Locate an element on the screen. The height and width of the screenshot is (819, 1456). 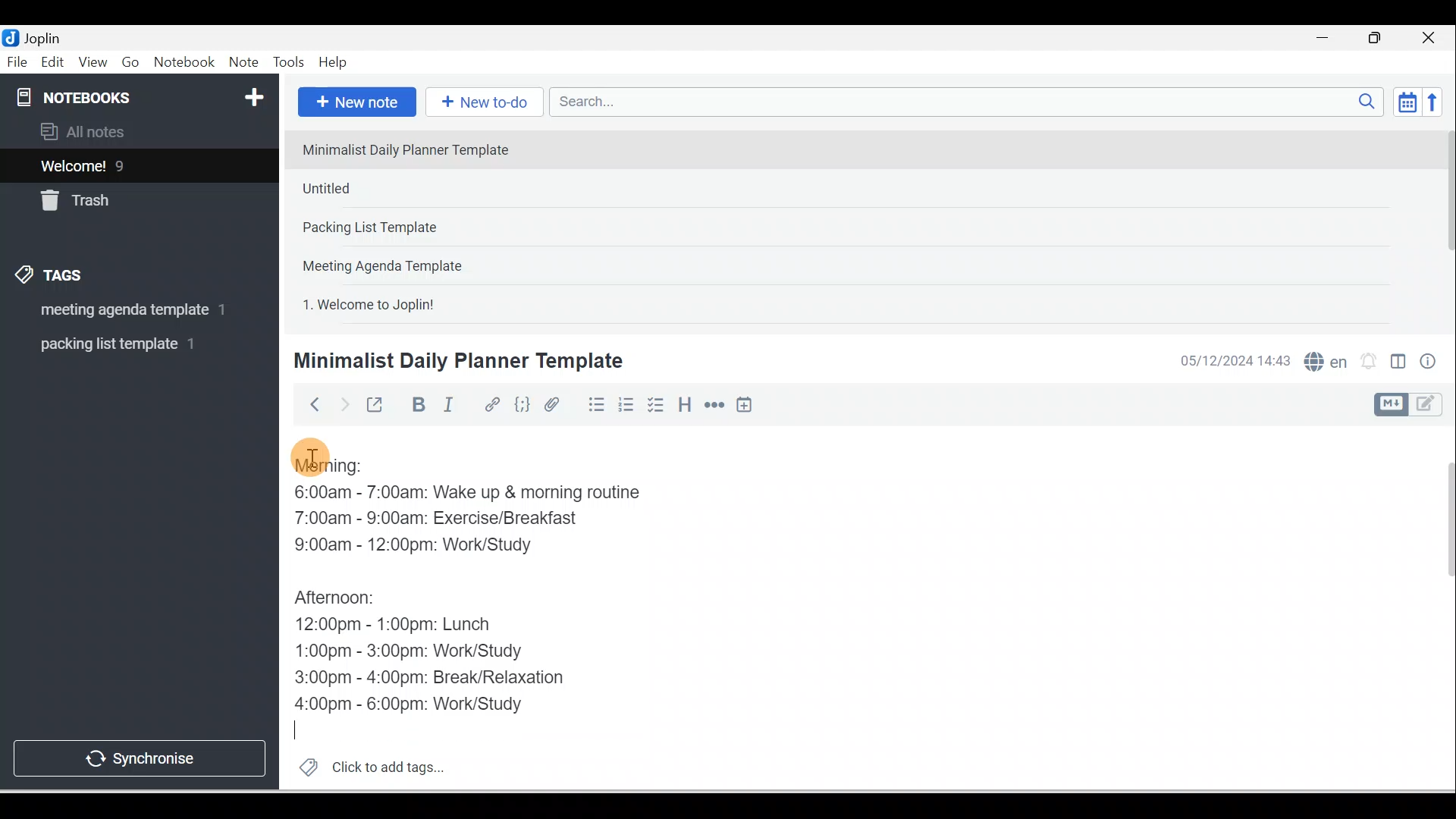
Tag 1 is located at coordinates (119, 311).